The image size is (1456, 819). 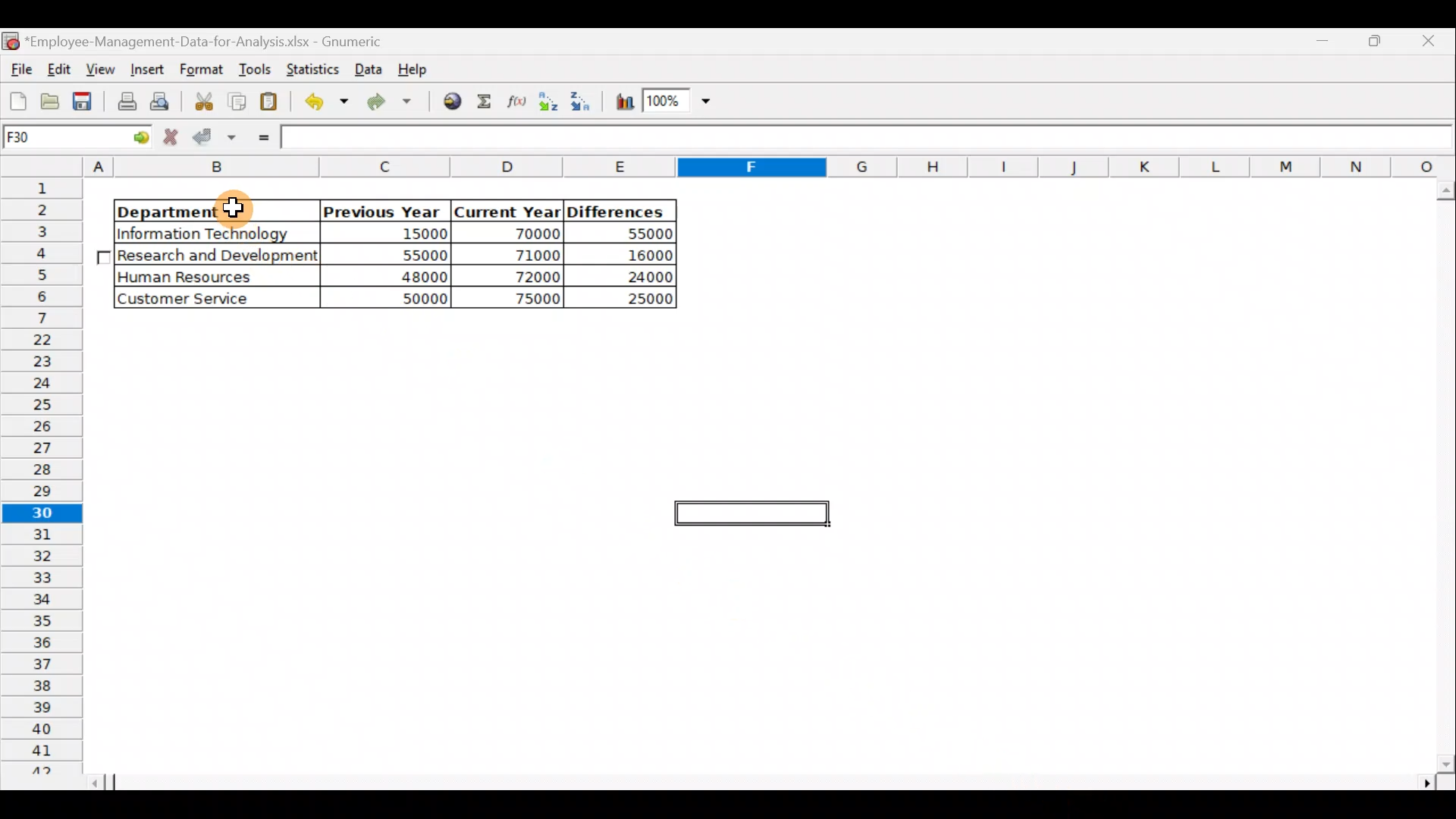 I want to click on Create a new workbook, so click(x=18, y=101).